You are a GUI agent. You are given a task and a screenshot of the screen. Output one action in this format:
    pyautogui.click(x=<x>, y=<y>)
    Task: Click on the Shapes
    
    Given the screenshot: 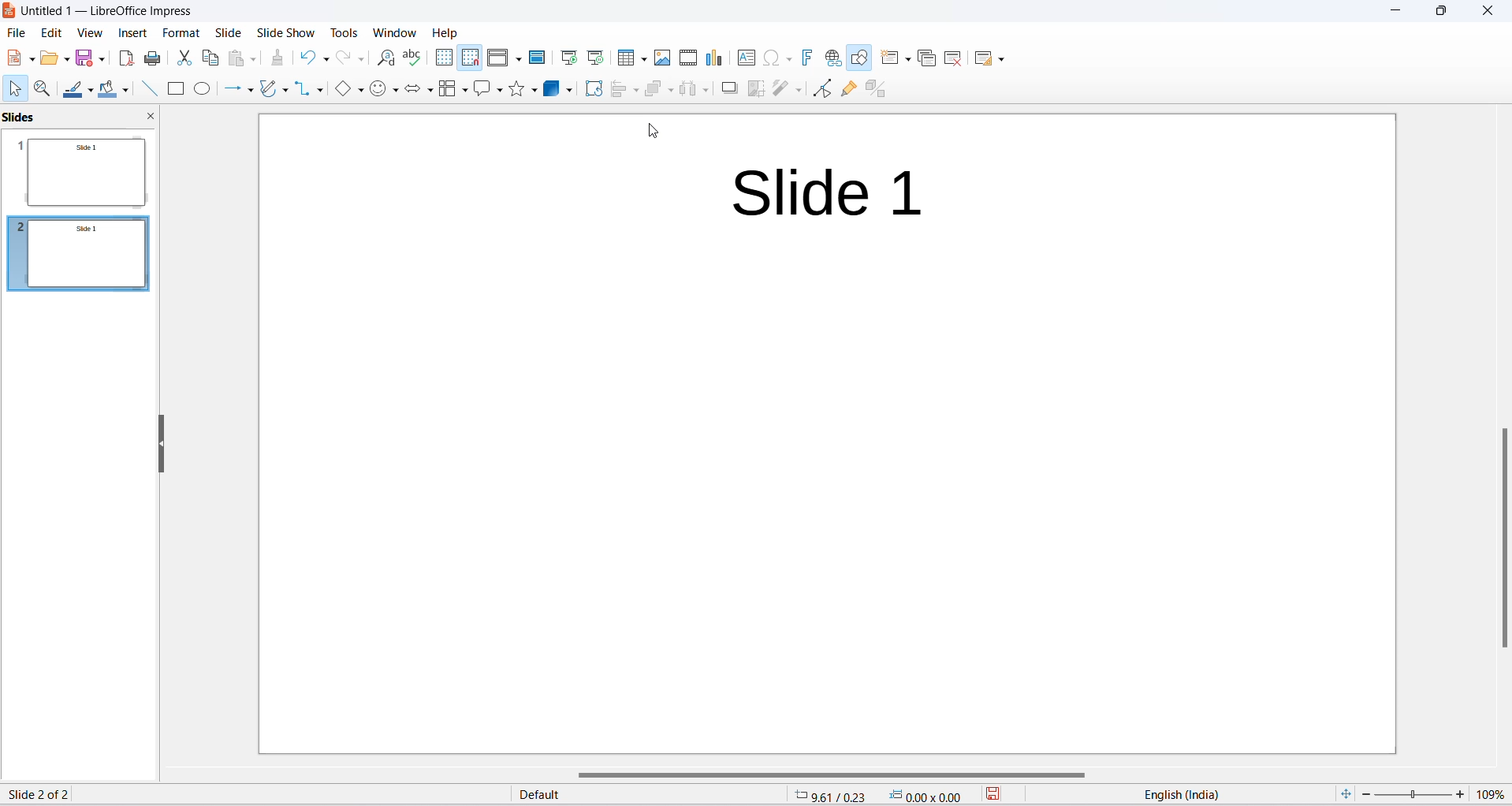 What is the action you would take?
    pyautogui.click(x=523, y=90)
    